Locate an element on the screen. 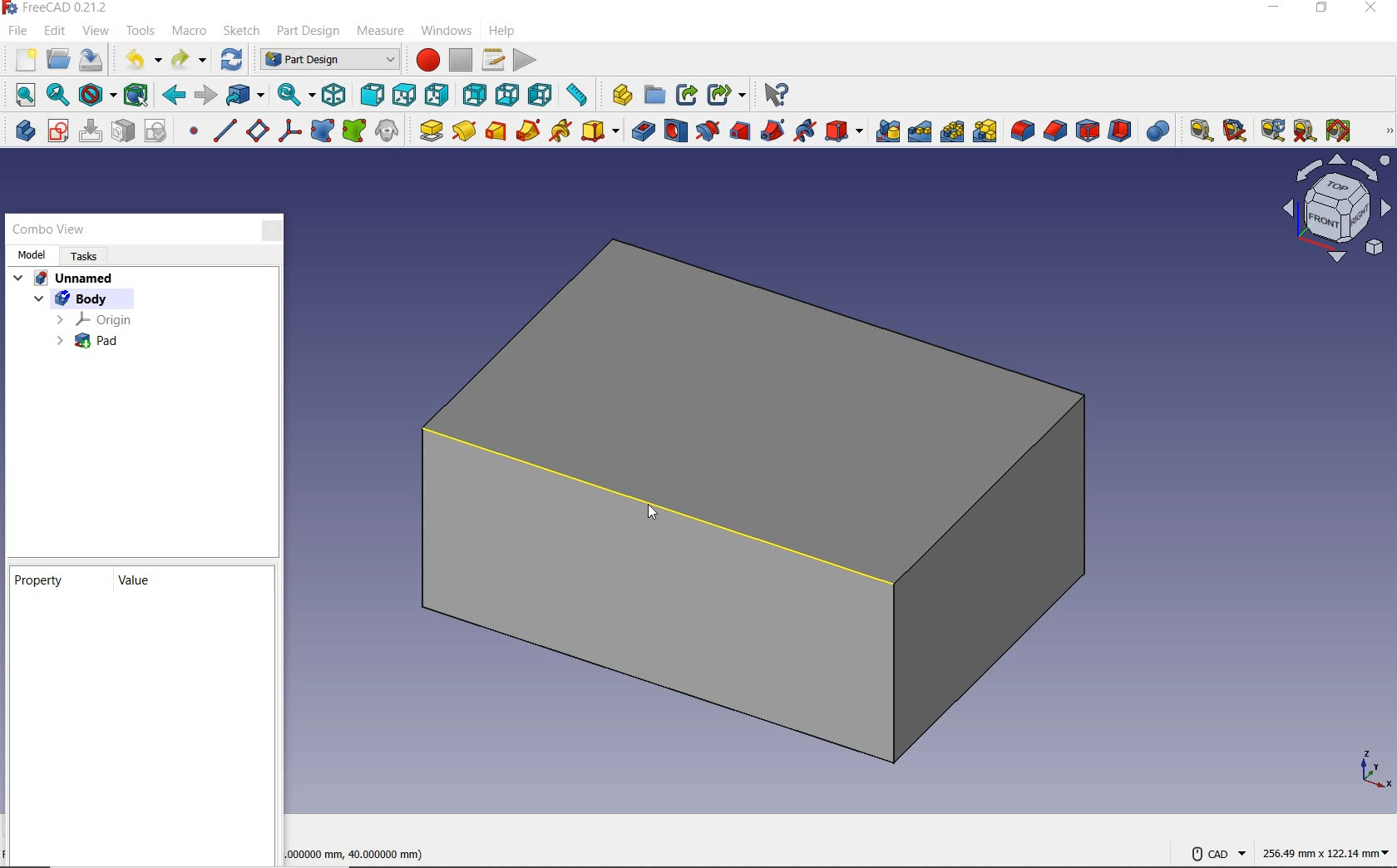 This screenshot has width=1397, height=868. linearpattern is located at coordinates (918, 131).